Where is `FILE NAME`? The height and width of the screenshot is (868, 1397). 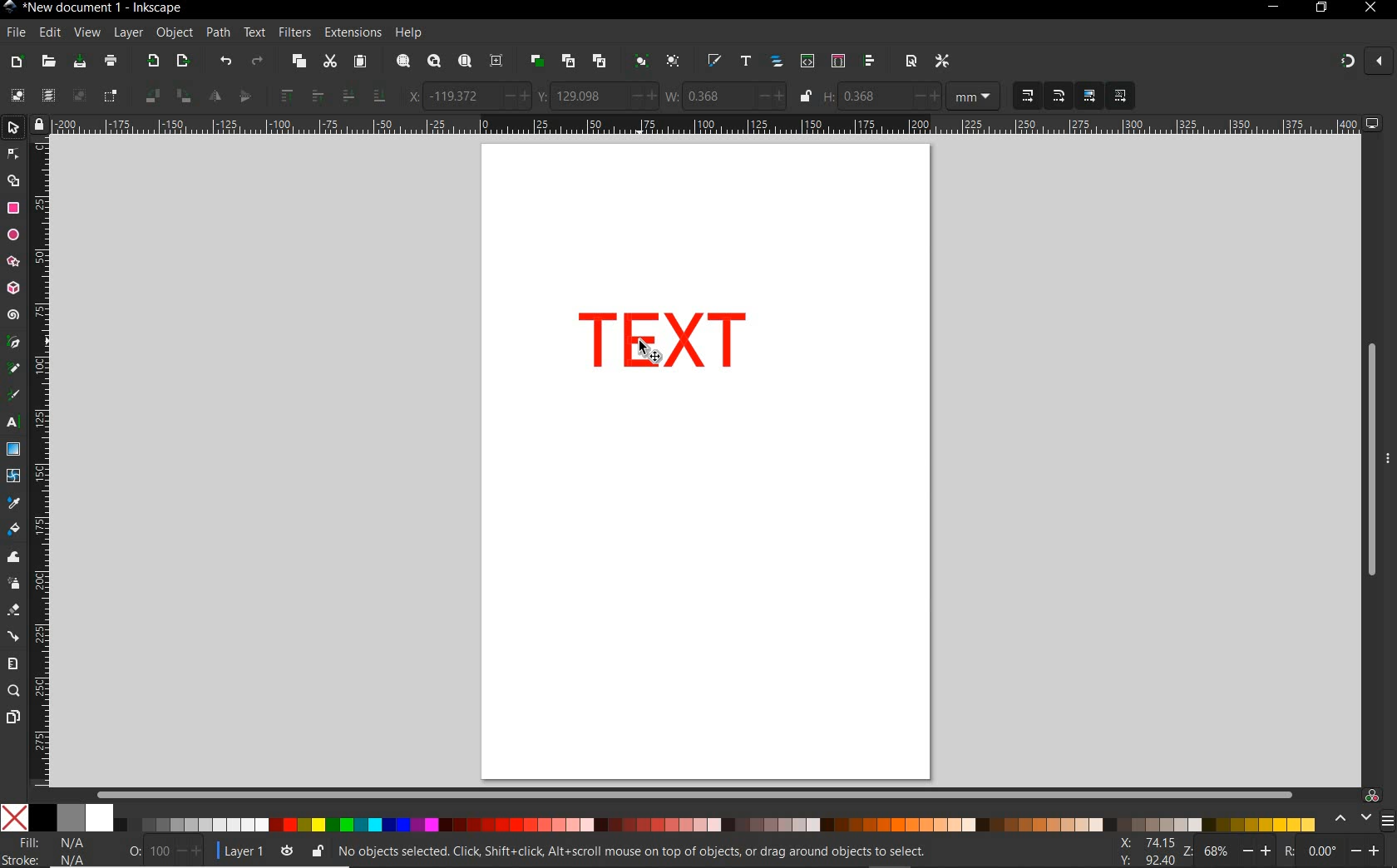 FILE NAME is located at coordinates (94, 7).